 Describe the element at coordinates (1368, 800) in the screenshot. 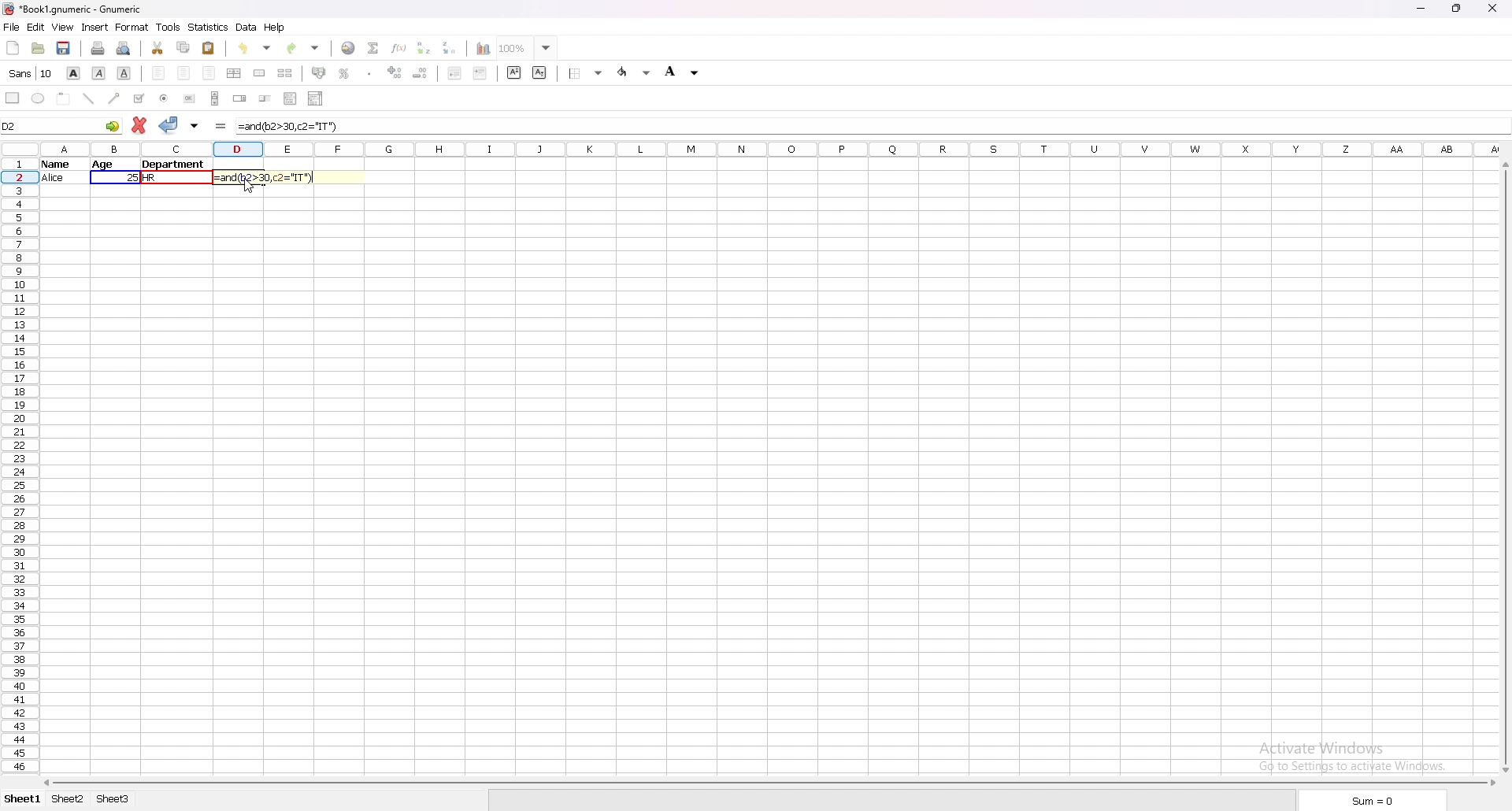

I see `sum` at that location.